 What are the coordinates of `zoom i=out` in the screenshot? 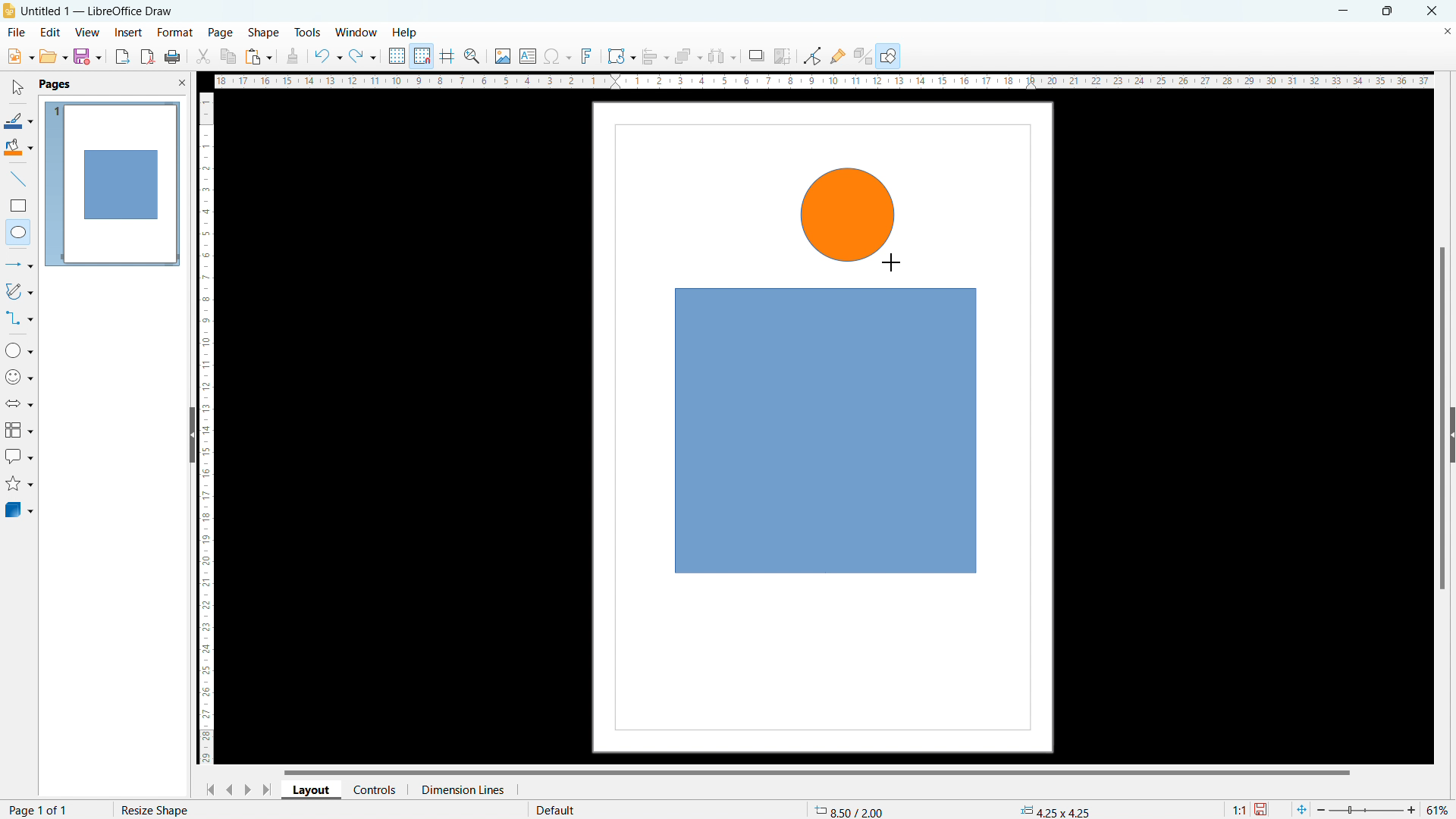 It's located at (1323, 808).